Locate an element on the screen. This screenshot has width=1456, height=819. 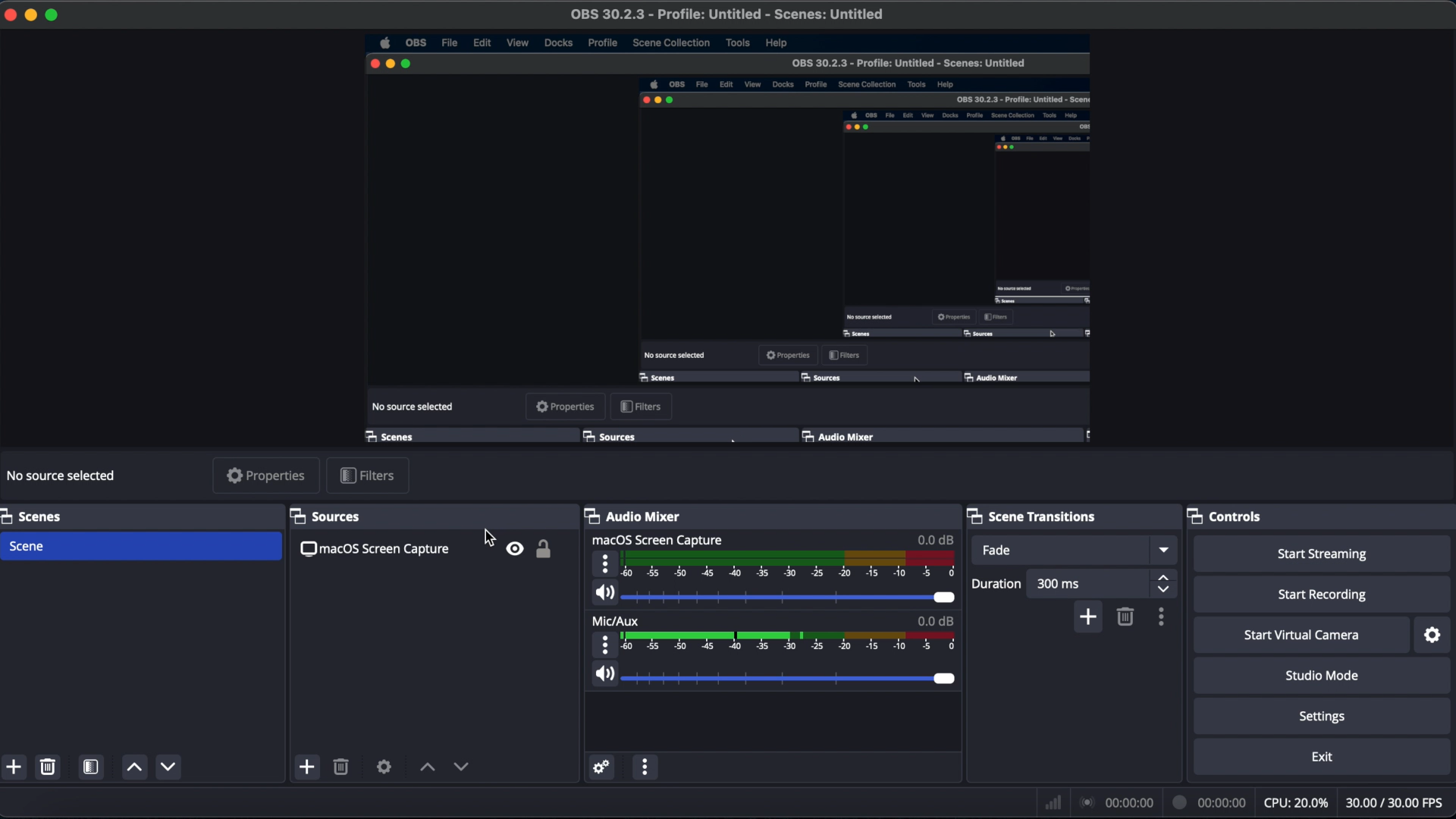
minimize is located at coordinates (29, 15).